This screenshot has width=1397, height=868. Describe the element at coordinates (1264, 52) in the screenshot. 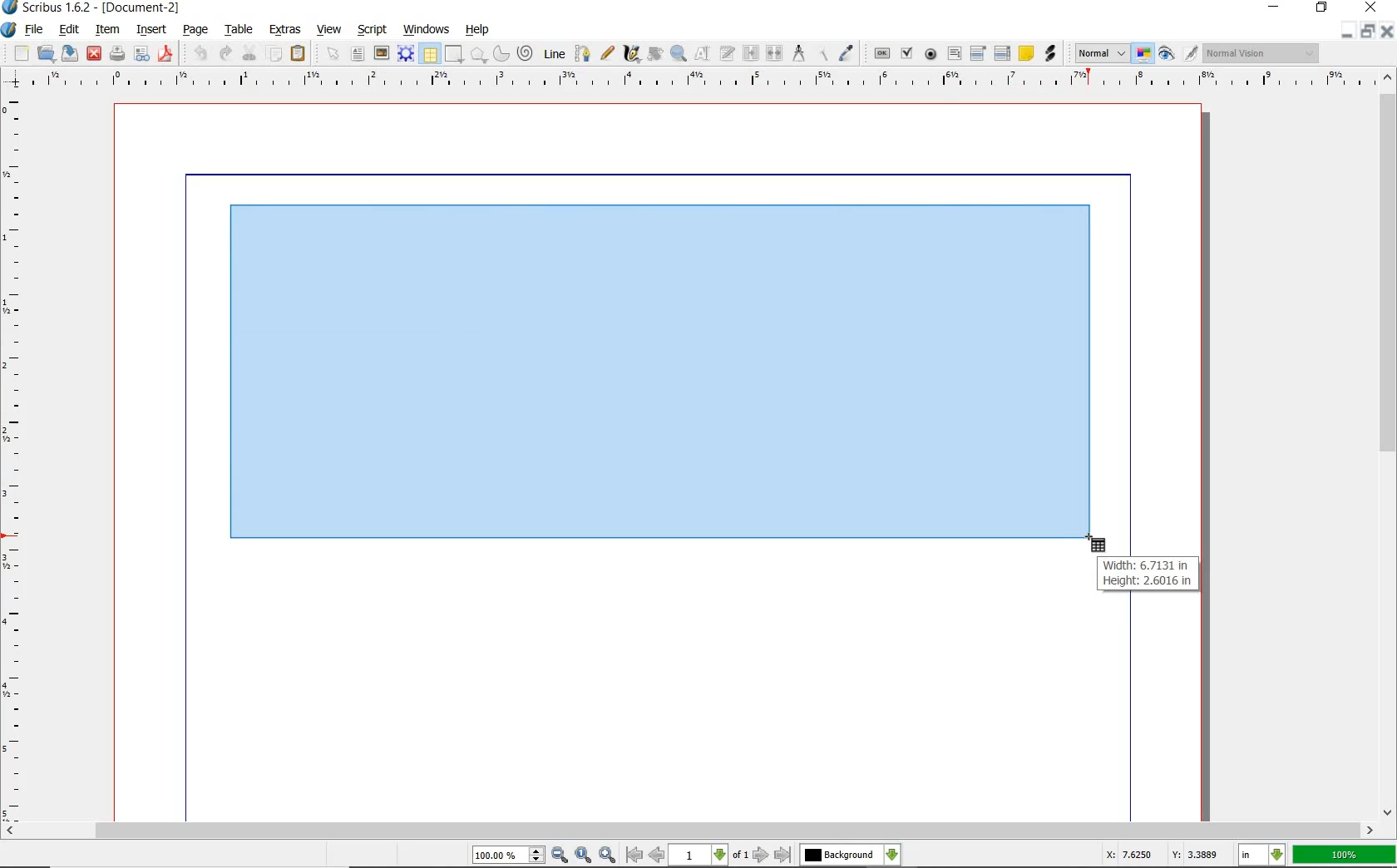

I see `visual appearance of the display` at that location.